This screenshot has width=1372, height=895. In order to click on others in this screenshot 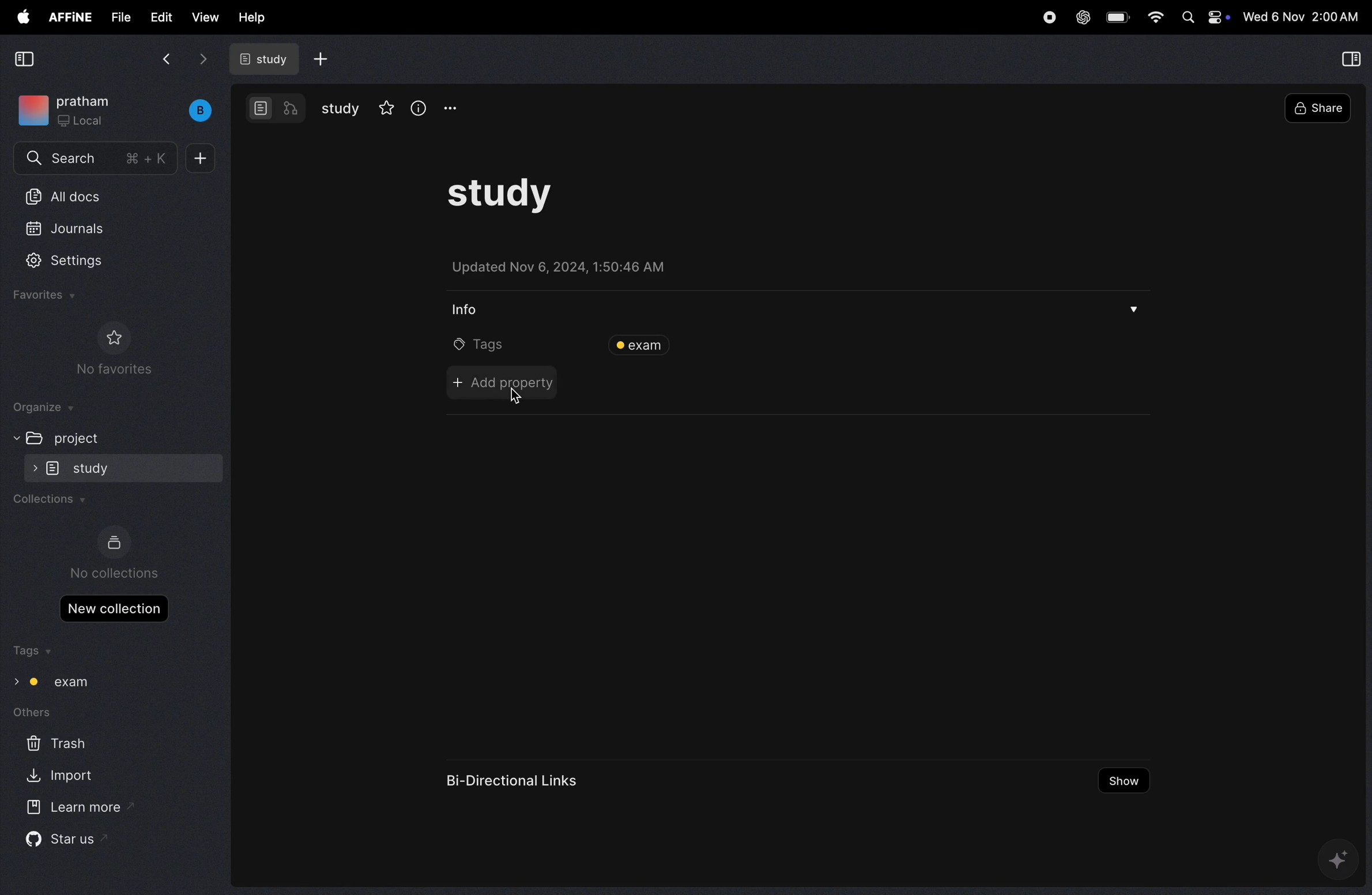, I will do `click(33, 712)`.